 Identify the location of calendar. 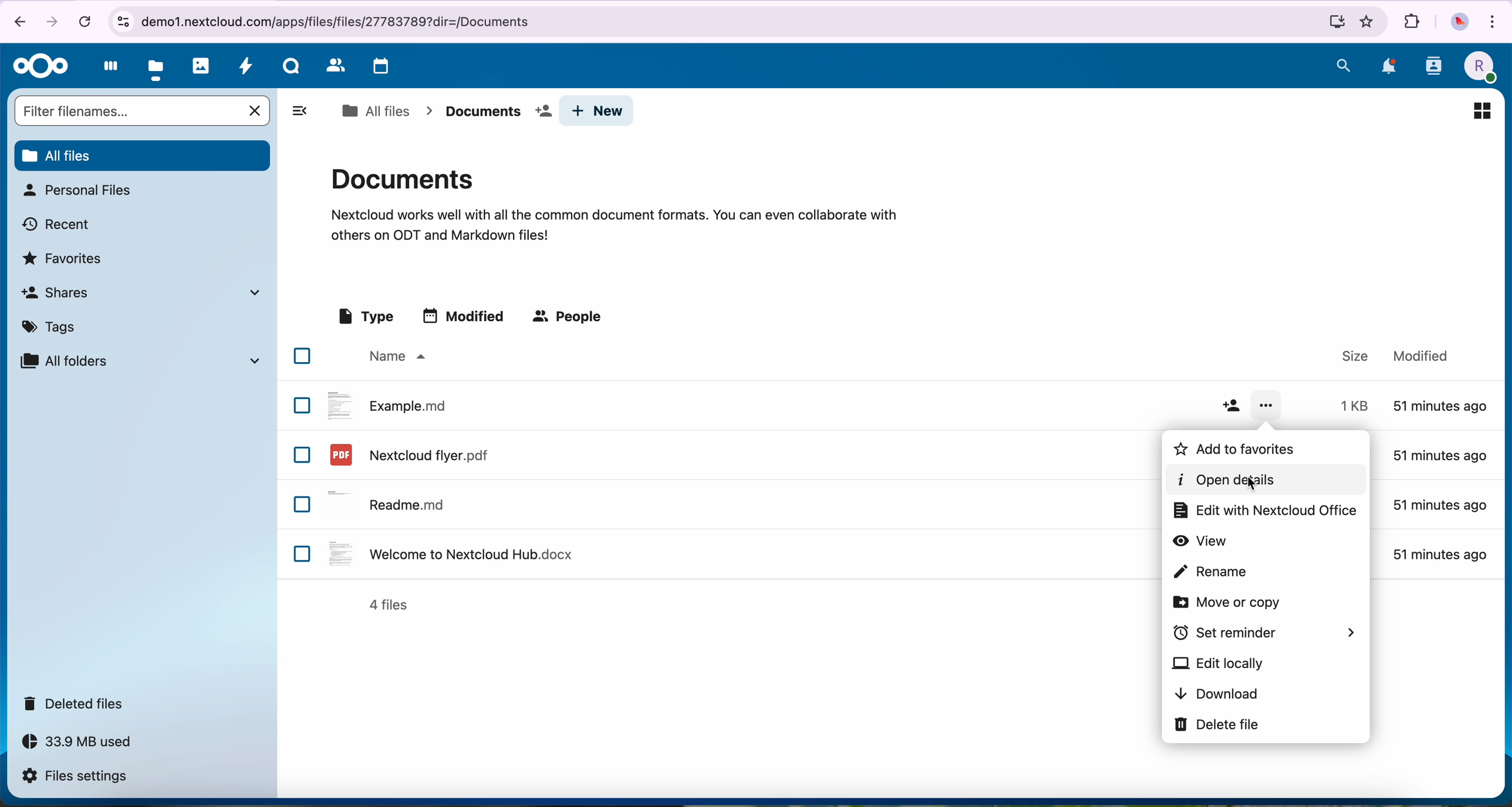
(378, 67).